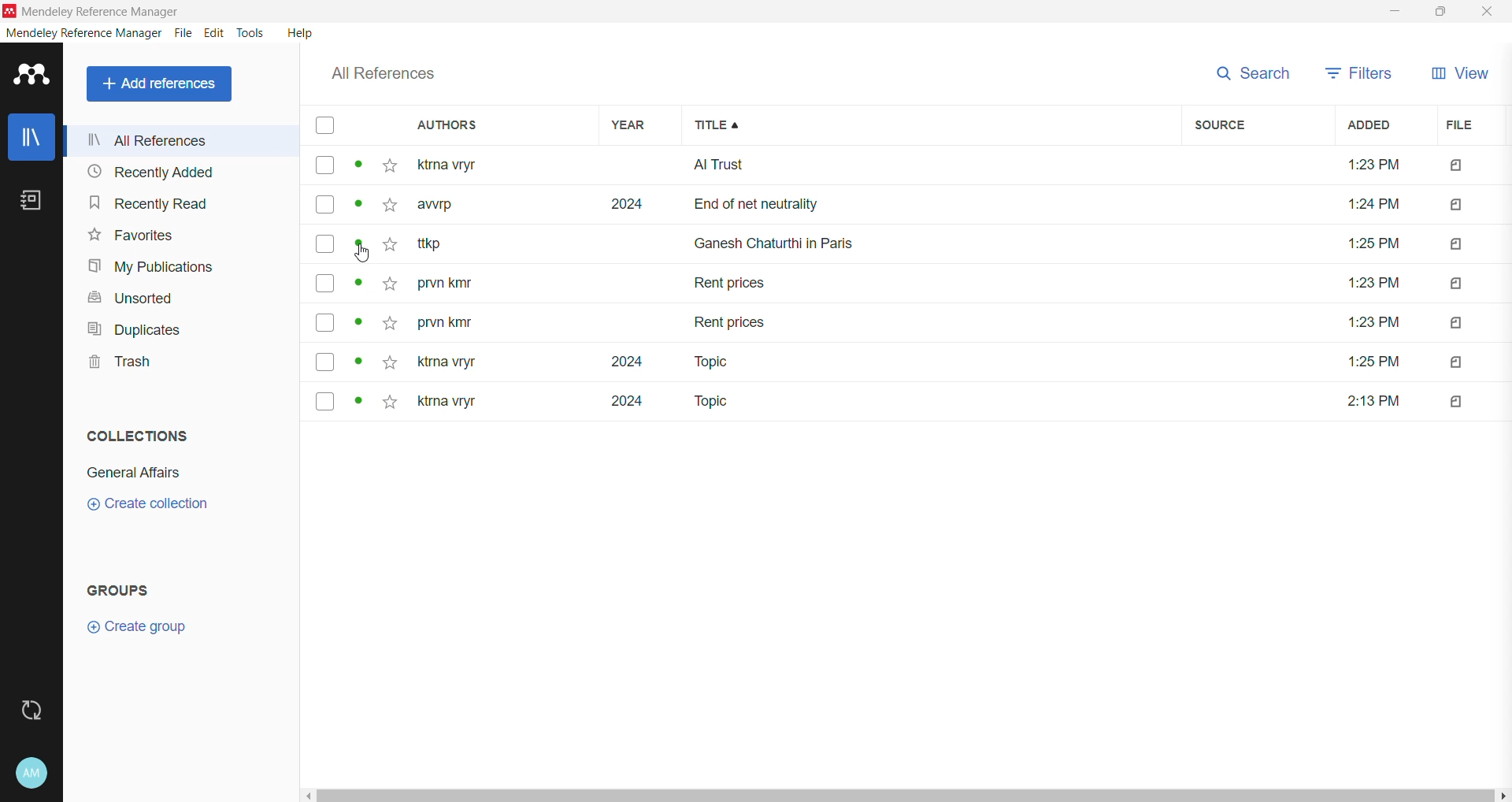 This screenshot has height=802, width=1512. Describe the element at coordinates (94, 11) in the screenshot. I see `Application Name` at that location.